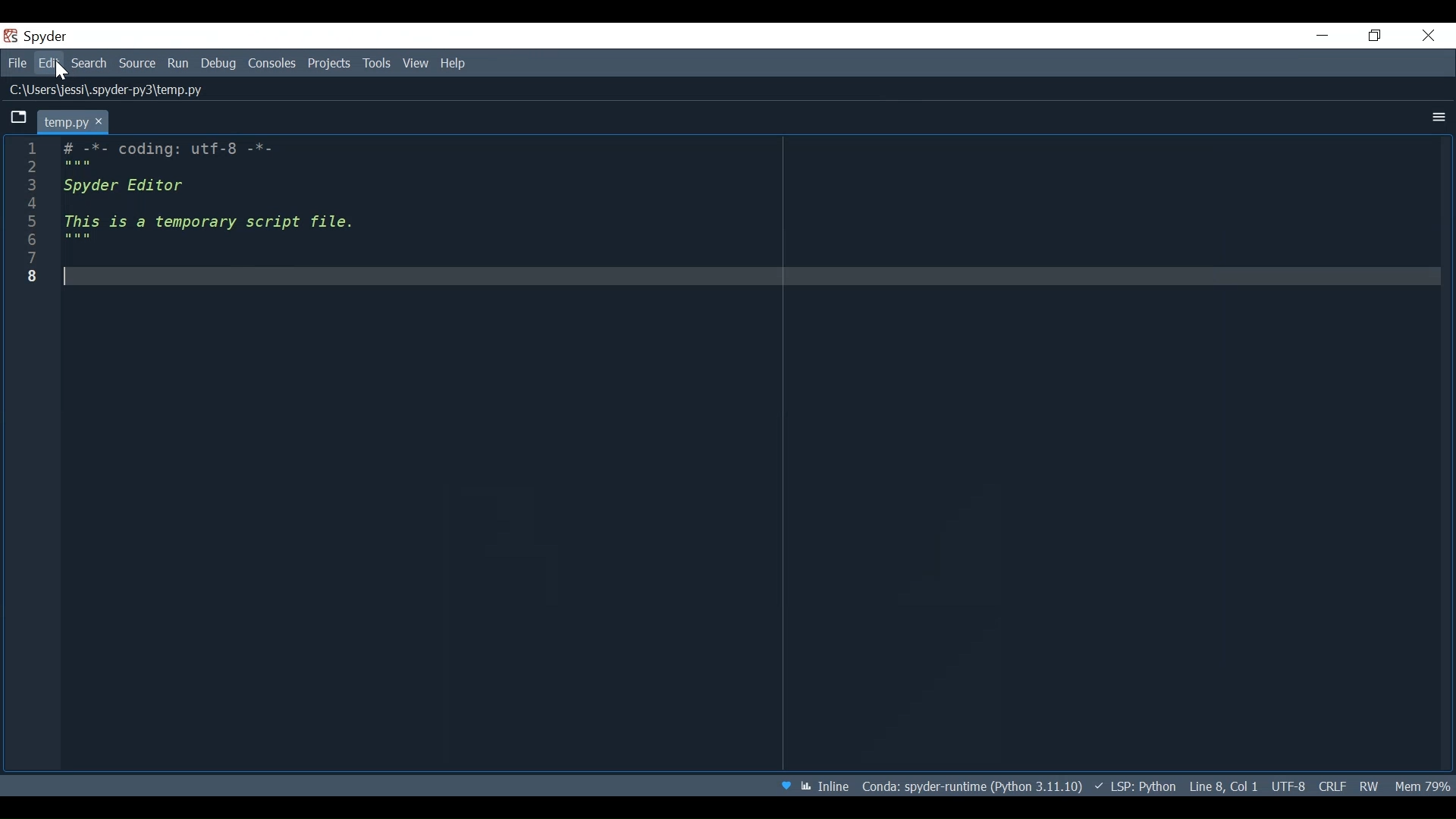 The width and height of the screenshot is (1456, 819). Describe the element at coordinates (1225, 786) in the screenshot. I see `Cursor Position` at that location.